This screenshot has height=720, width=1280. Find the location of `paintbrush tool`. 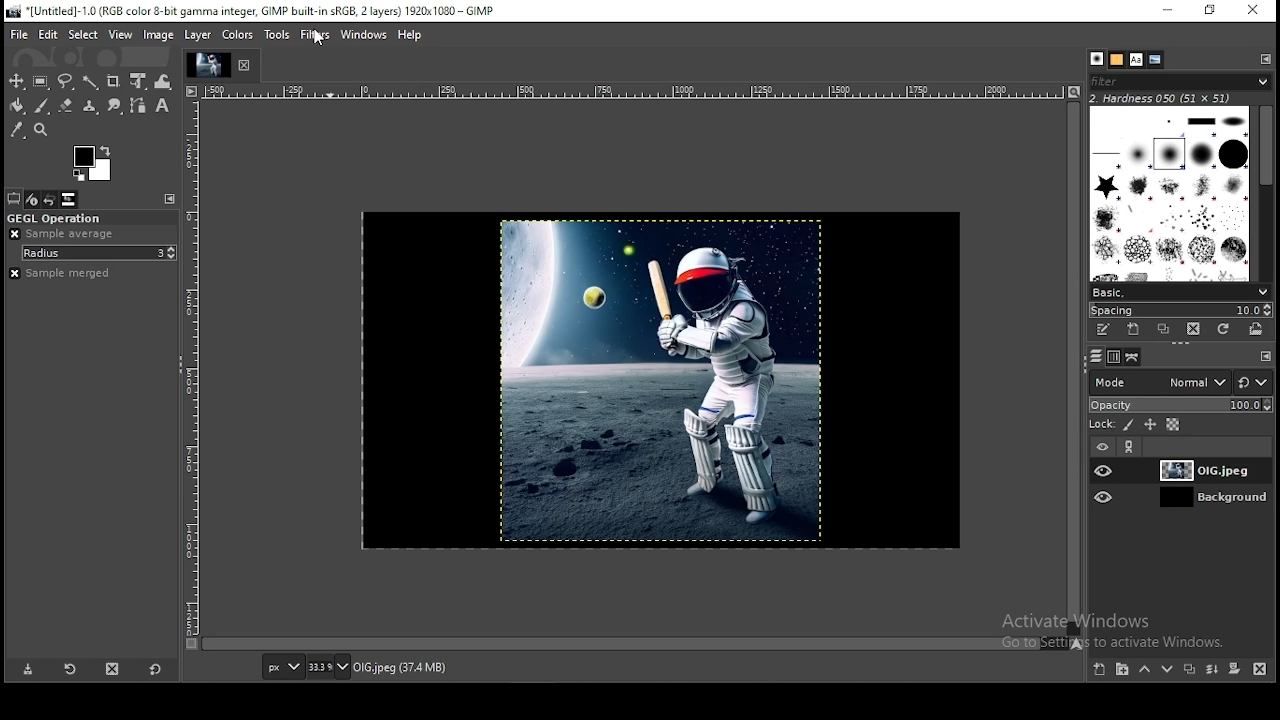

paintbrush tool is located at coordinates (42, 106).